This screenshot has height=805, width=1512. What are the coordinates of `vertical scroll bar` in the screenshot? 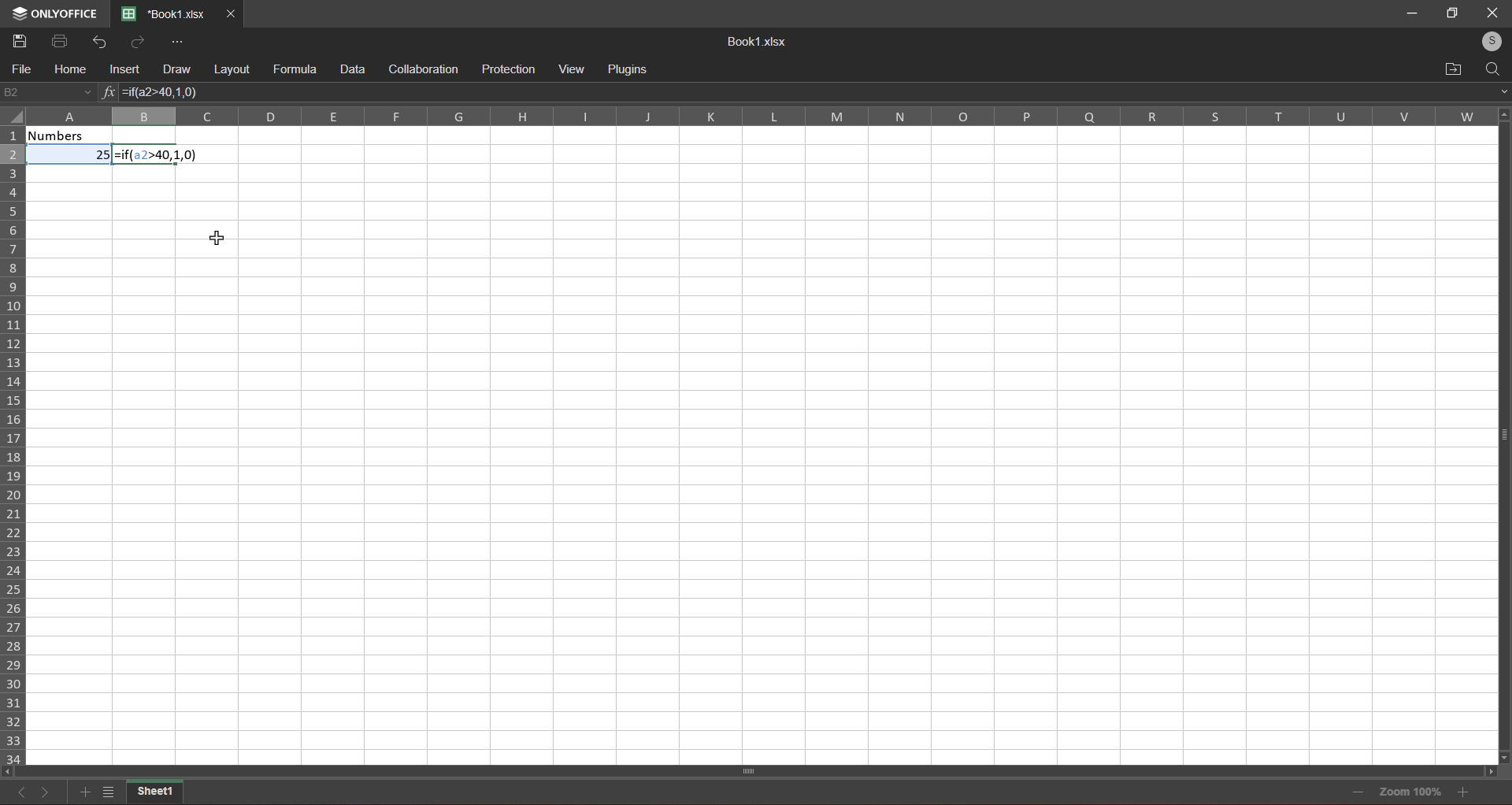 It's located at (1501, 446).